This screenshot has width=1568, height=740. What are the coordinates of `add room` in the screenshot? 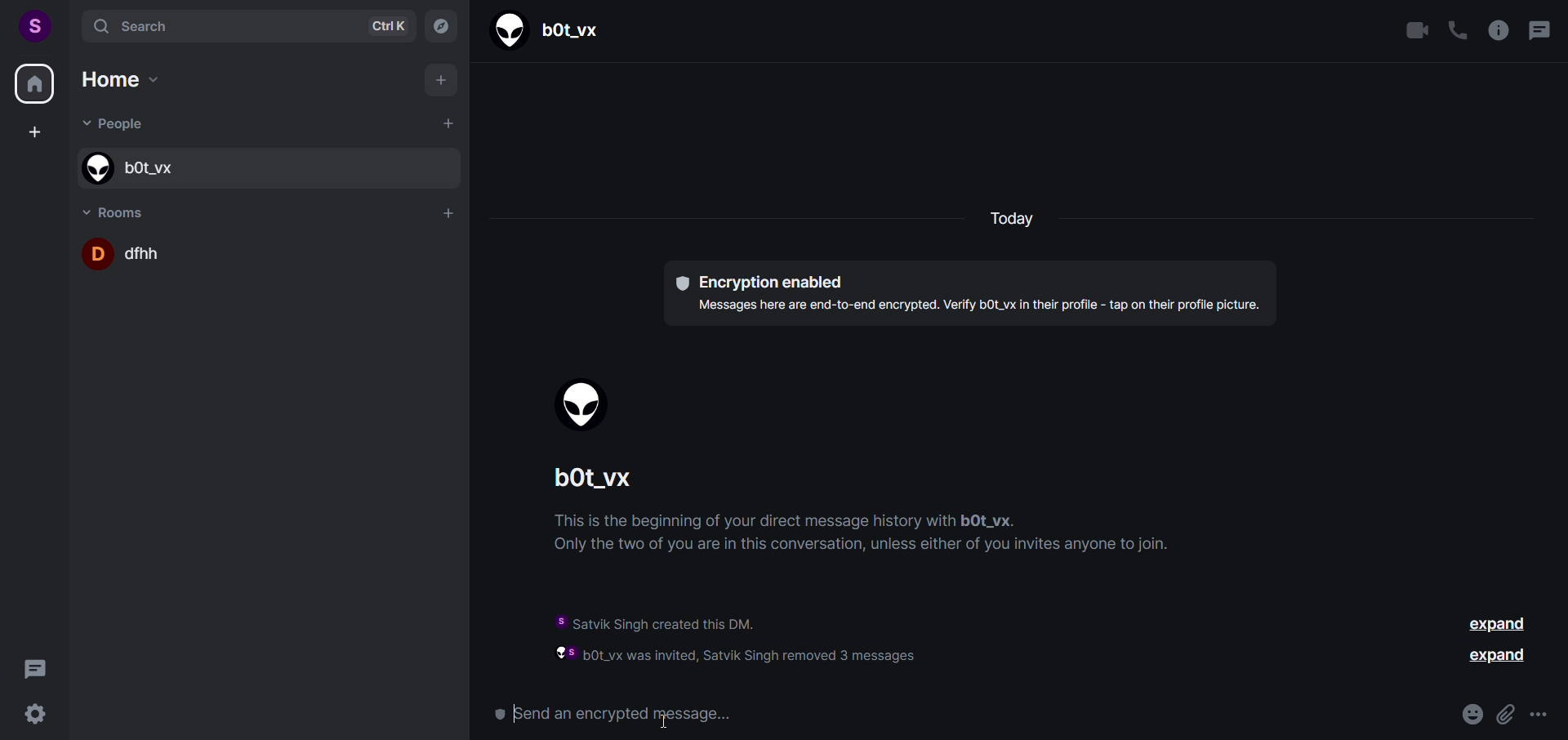 It's located at (449, 213).